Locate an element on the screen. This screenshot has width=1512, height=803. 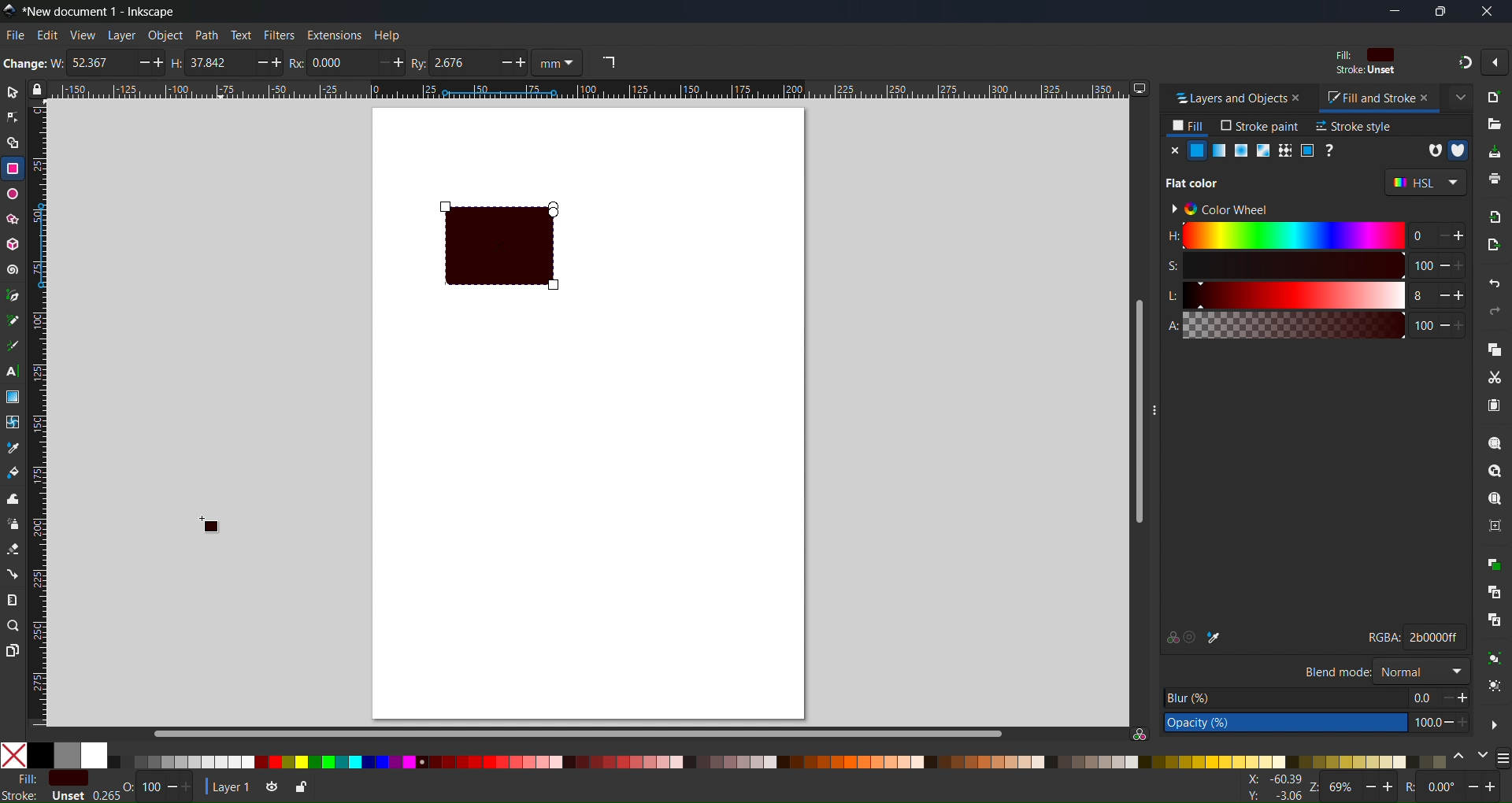
Ungroup is located at coordinates (1495, 687).